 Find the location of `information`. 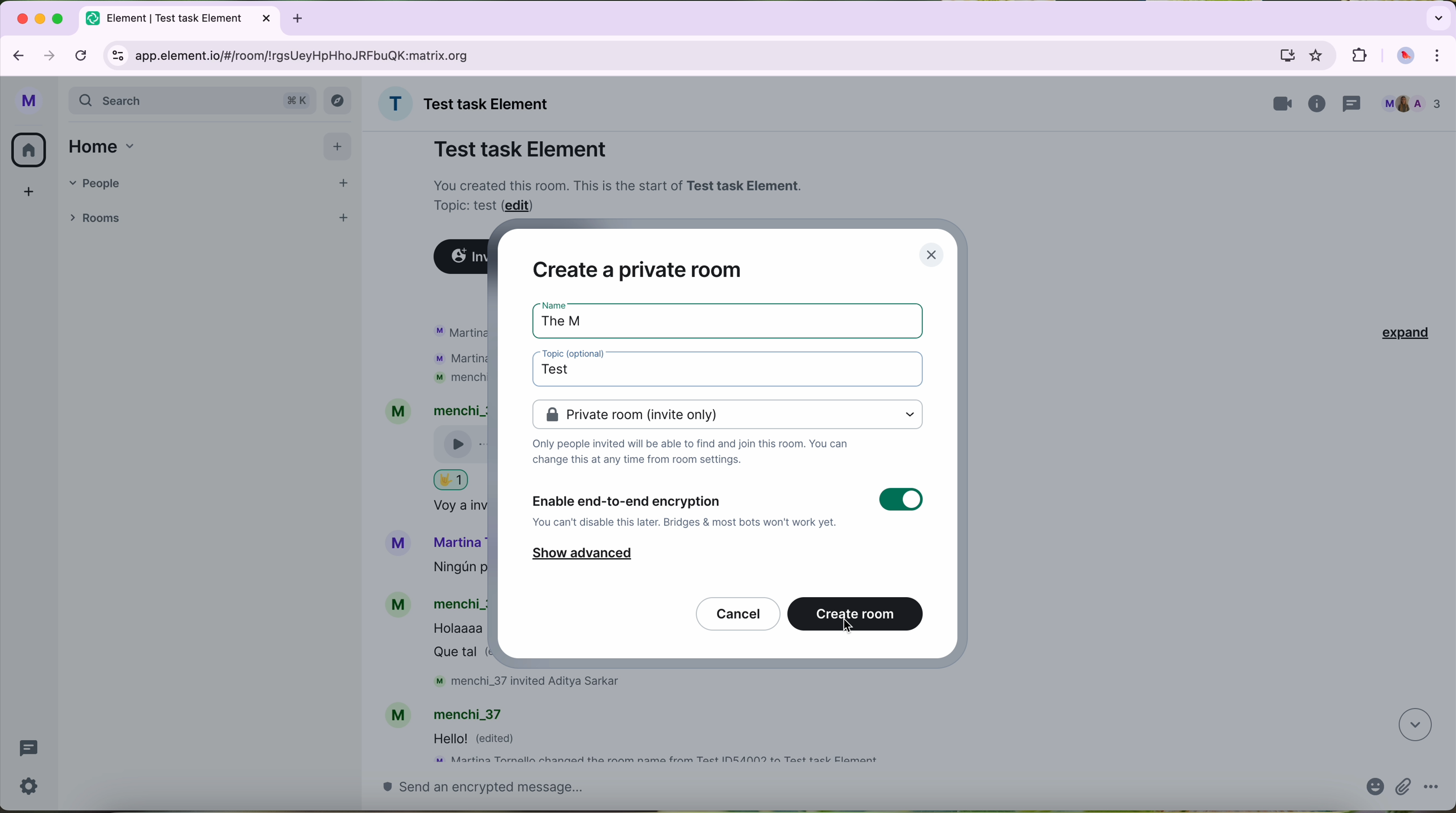

information is located at coordinates (1319, 105).